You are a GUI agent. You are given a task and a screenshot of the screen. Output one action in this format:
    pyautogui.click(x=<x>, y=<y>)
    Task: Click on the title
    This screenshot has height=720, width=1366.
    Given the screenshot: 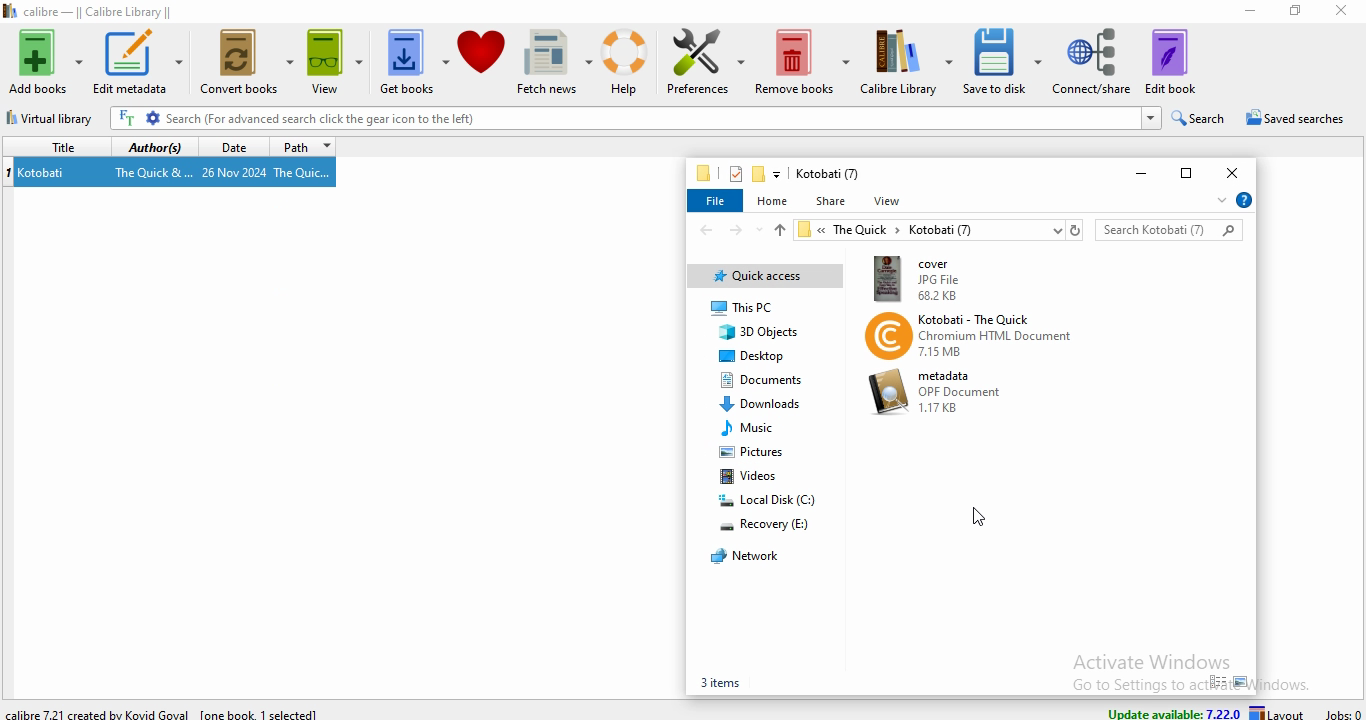 What is the action you would take?
    pyautogui.click(x=53, y=145)
    